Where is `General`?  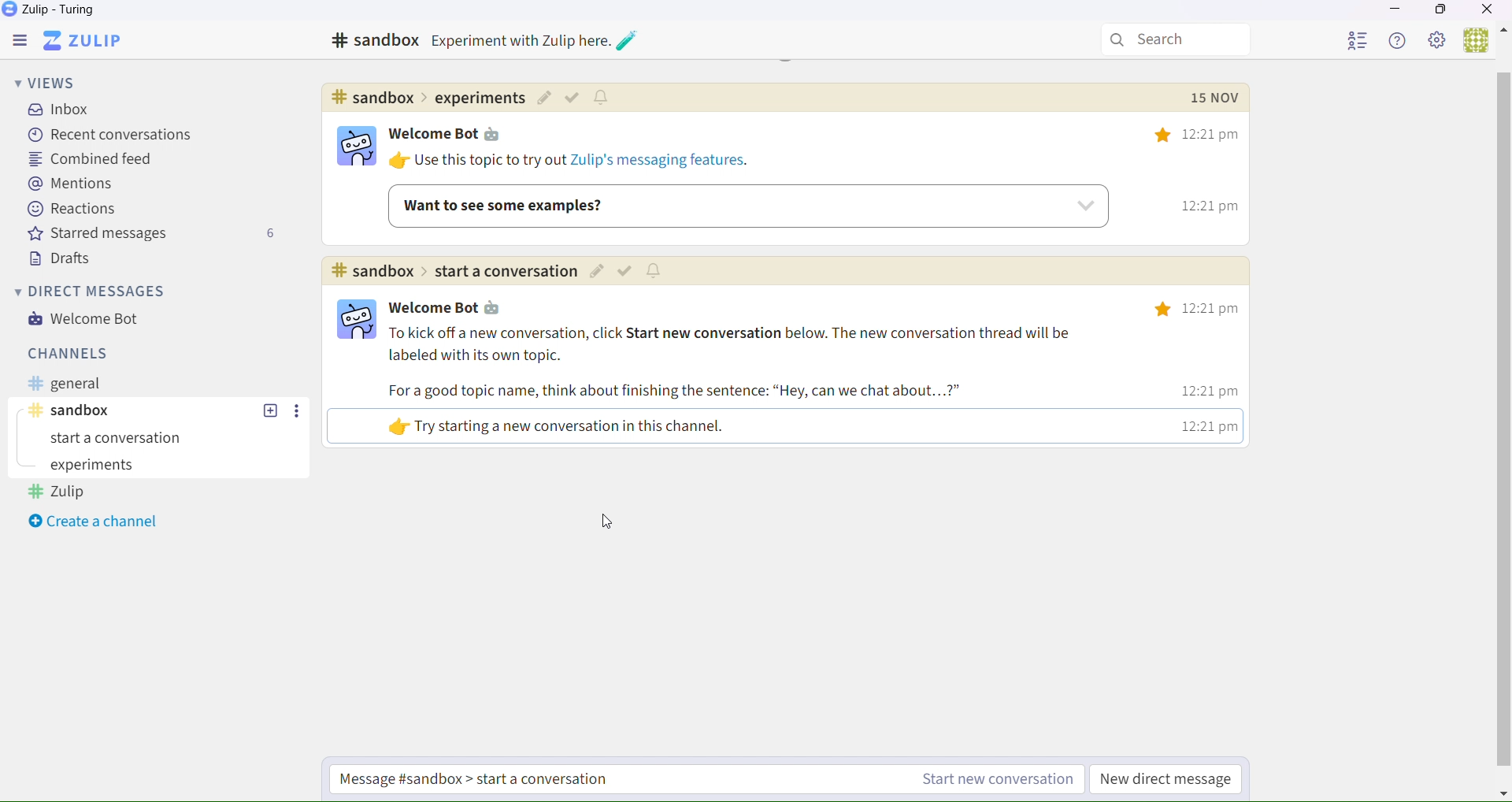 General is located at coordinates (79, 384).